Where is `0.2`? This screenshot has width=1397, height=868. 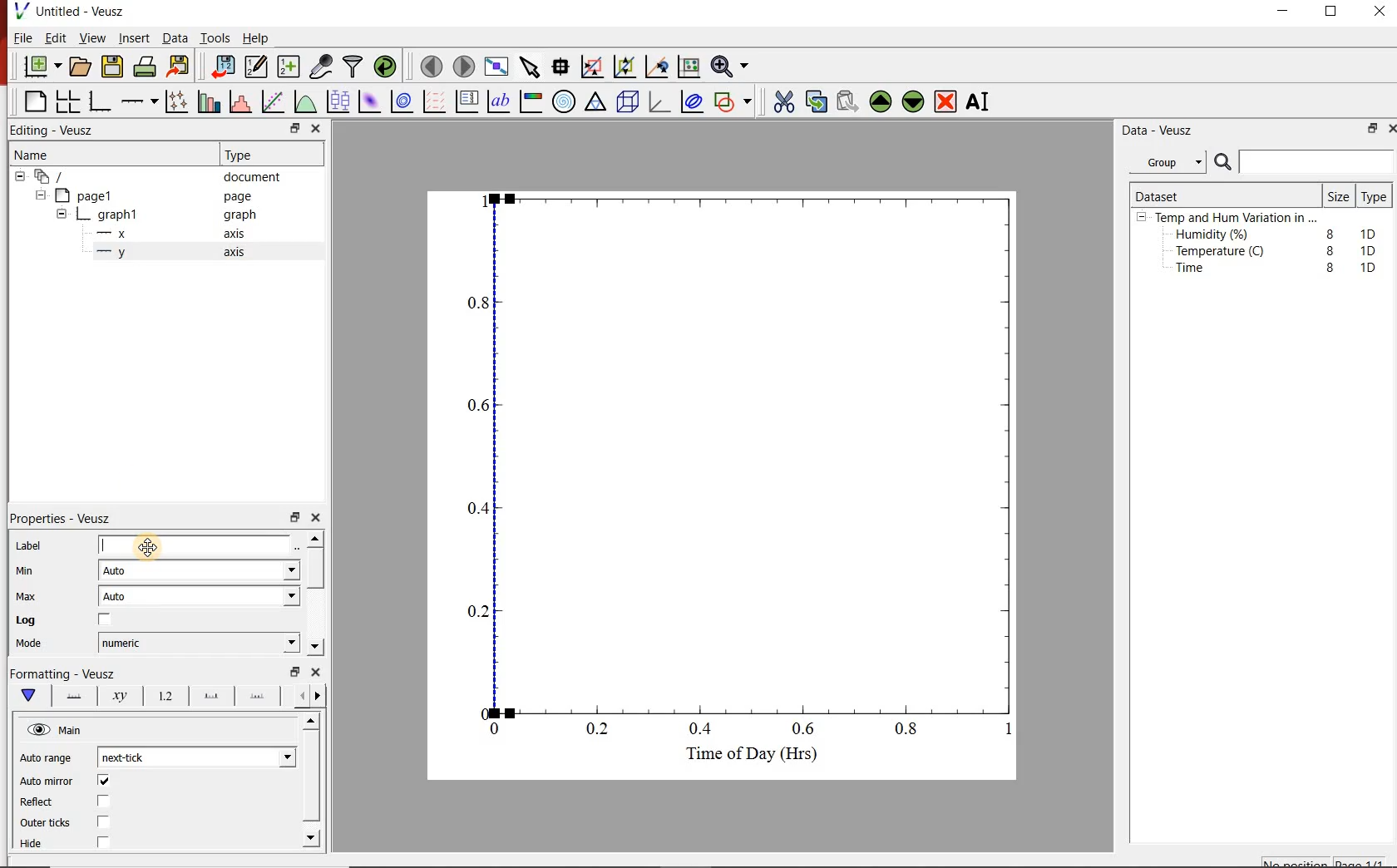 0.2 is located at coordinates (476, 611).